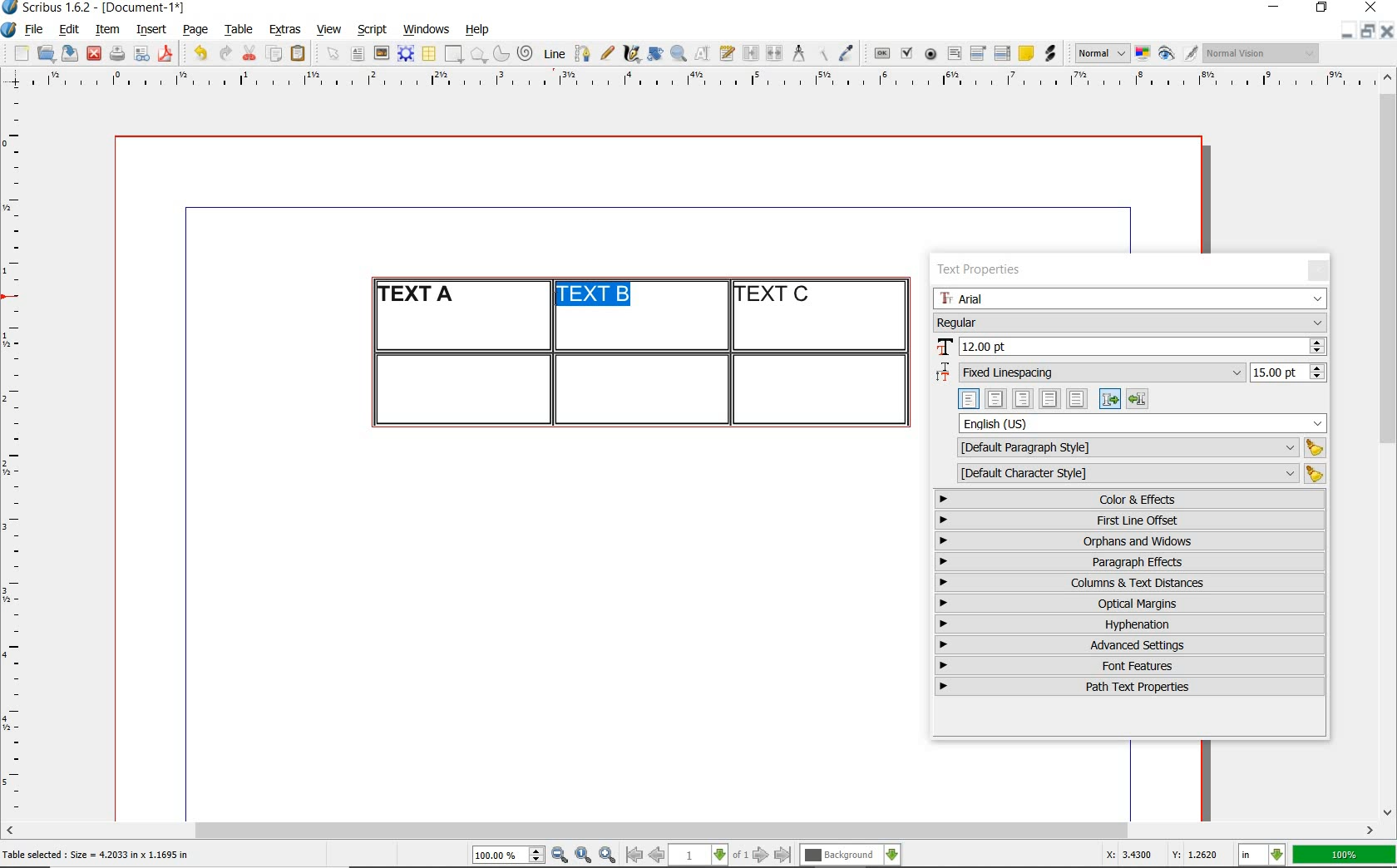  I want to click on hyphenation, so click(1130, 624).